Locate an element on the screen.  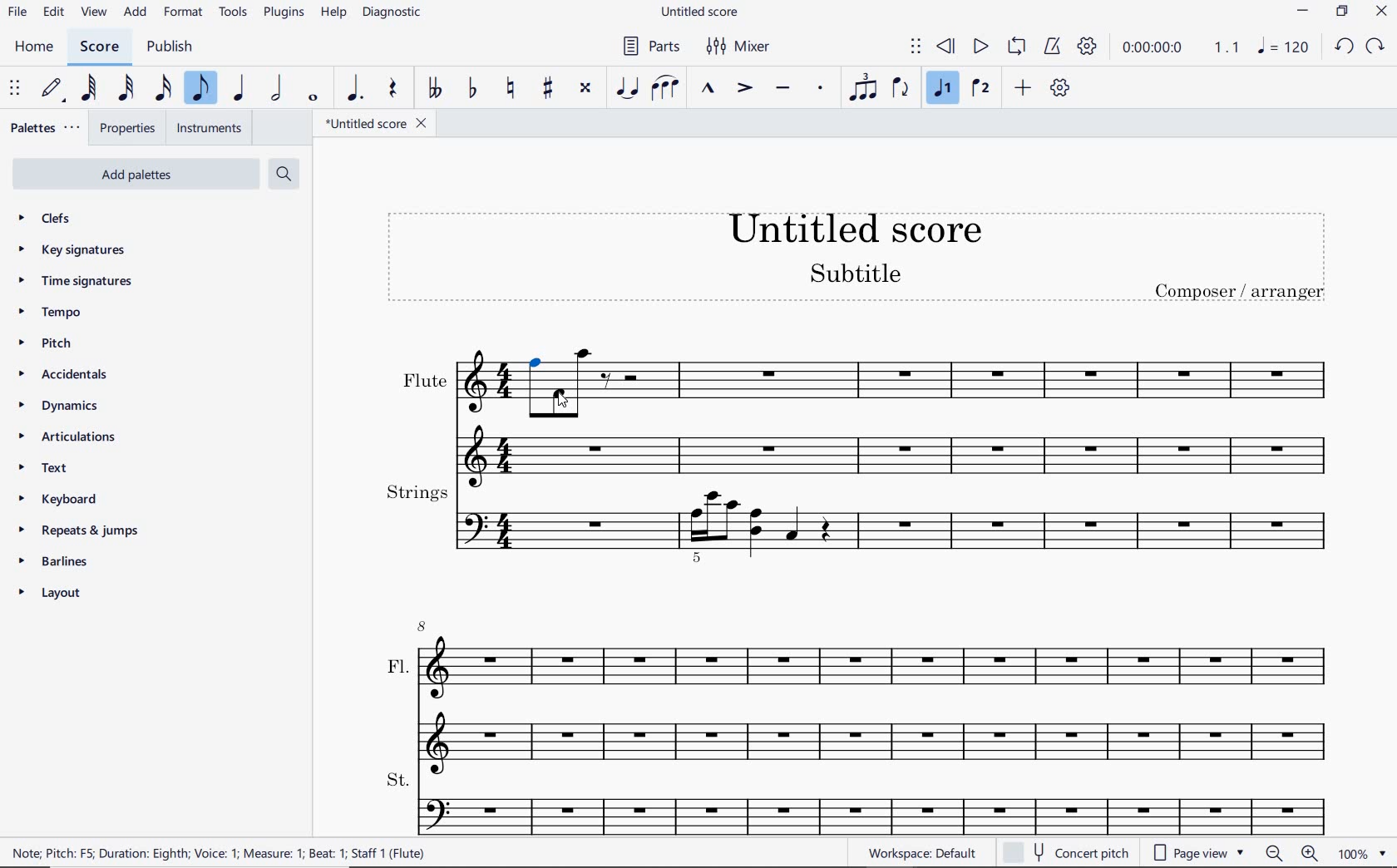
HELP is located at coordinates (333, 14).